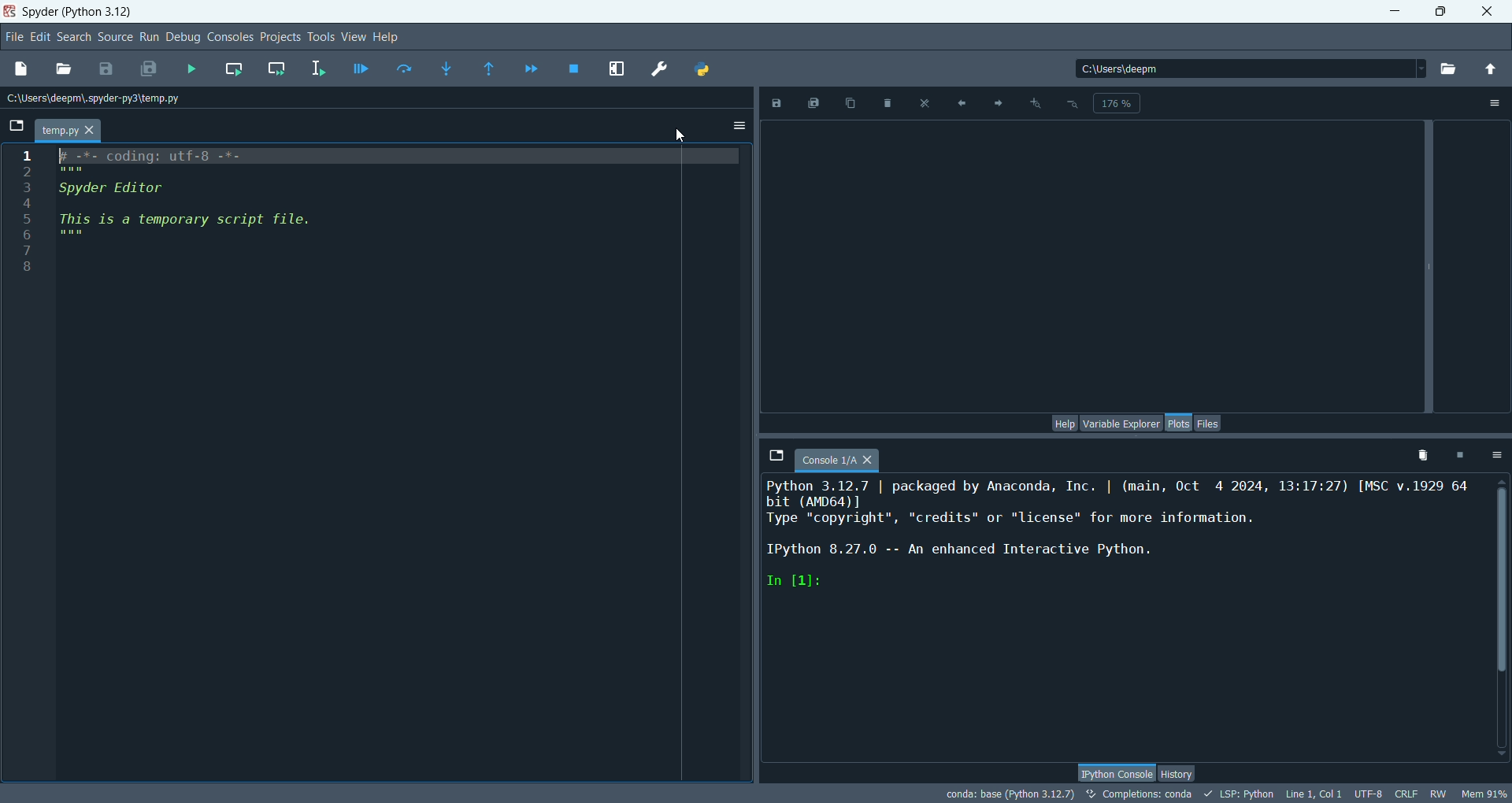 This screenshot has width=1512, height=803. What do you see at coordinates (1497, 105) in the screenshot?
I see `options` at bounding box center [1497, 105].